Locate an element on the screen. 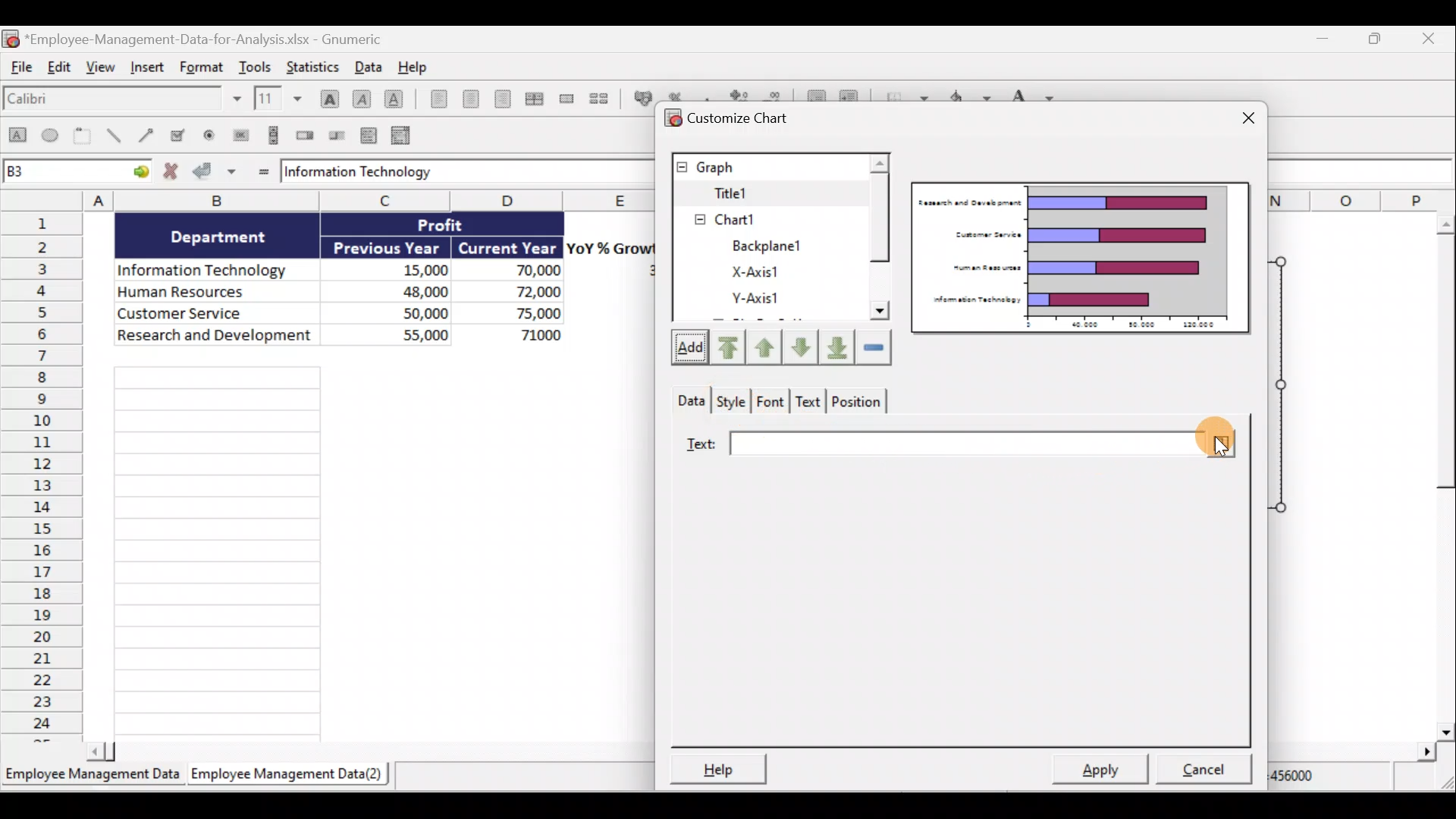  Accept change is located at coordinates (217, 173).